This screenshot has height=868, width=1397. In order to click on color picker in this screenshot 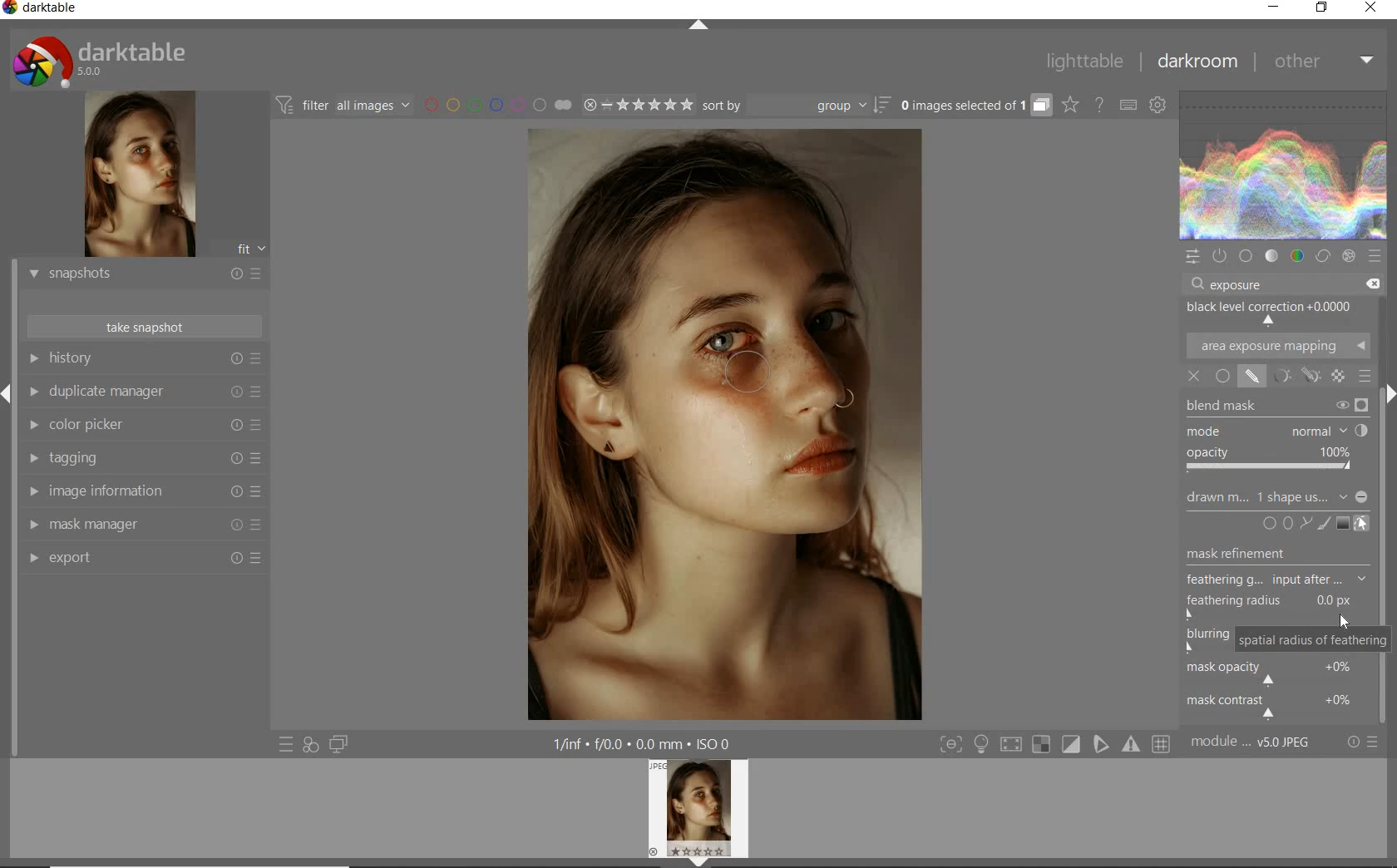, I will do `click(143, 426)`.